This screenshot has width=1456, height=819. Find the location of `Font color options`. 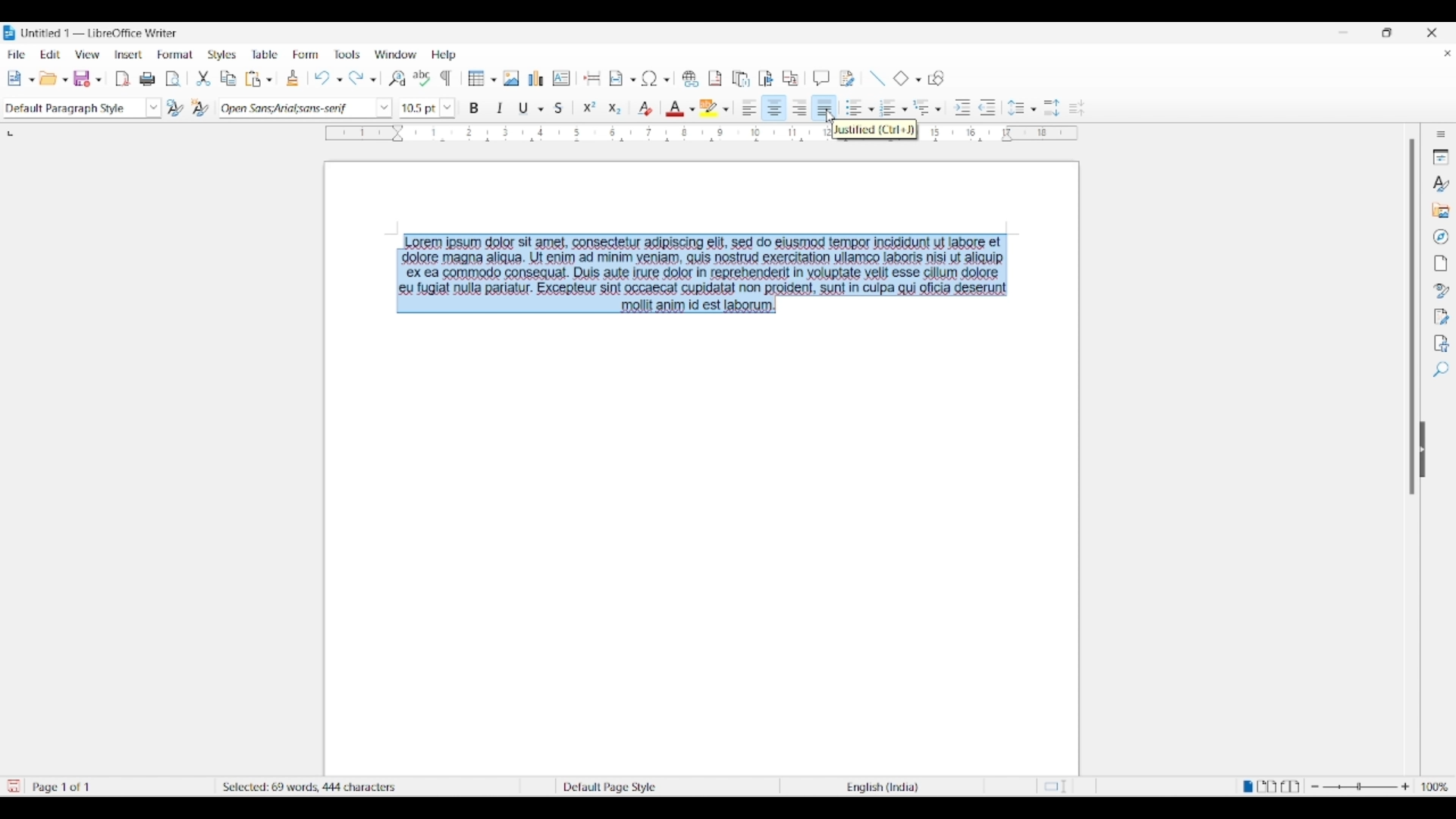

Font color options is located at coordinates (692, 109).